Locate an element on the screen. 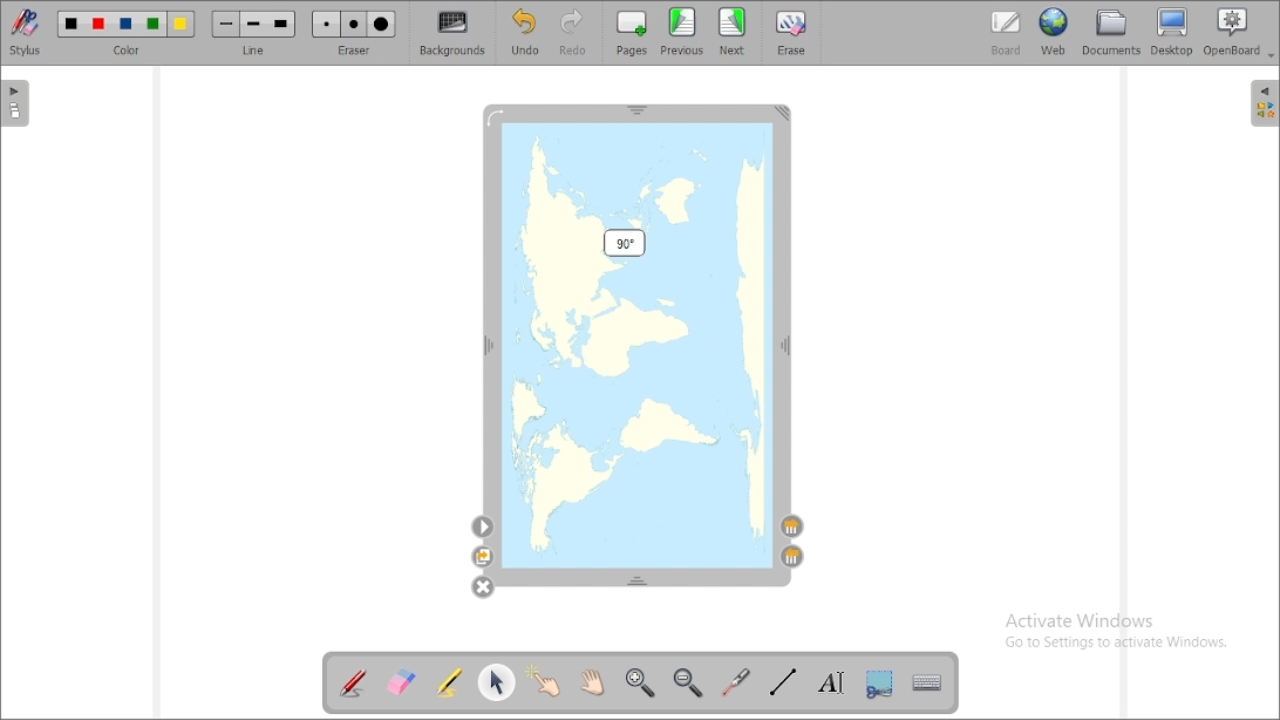 The image size is (1280, 720). stylus is located at coordinates (25, 32).